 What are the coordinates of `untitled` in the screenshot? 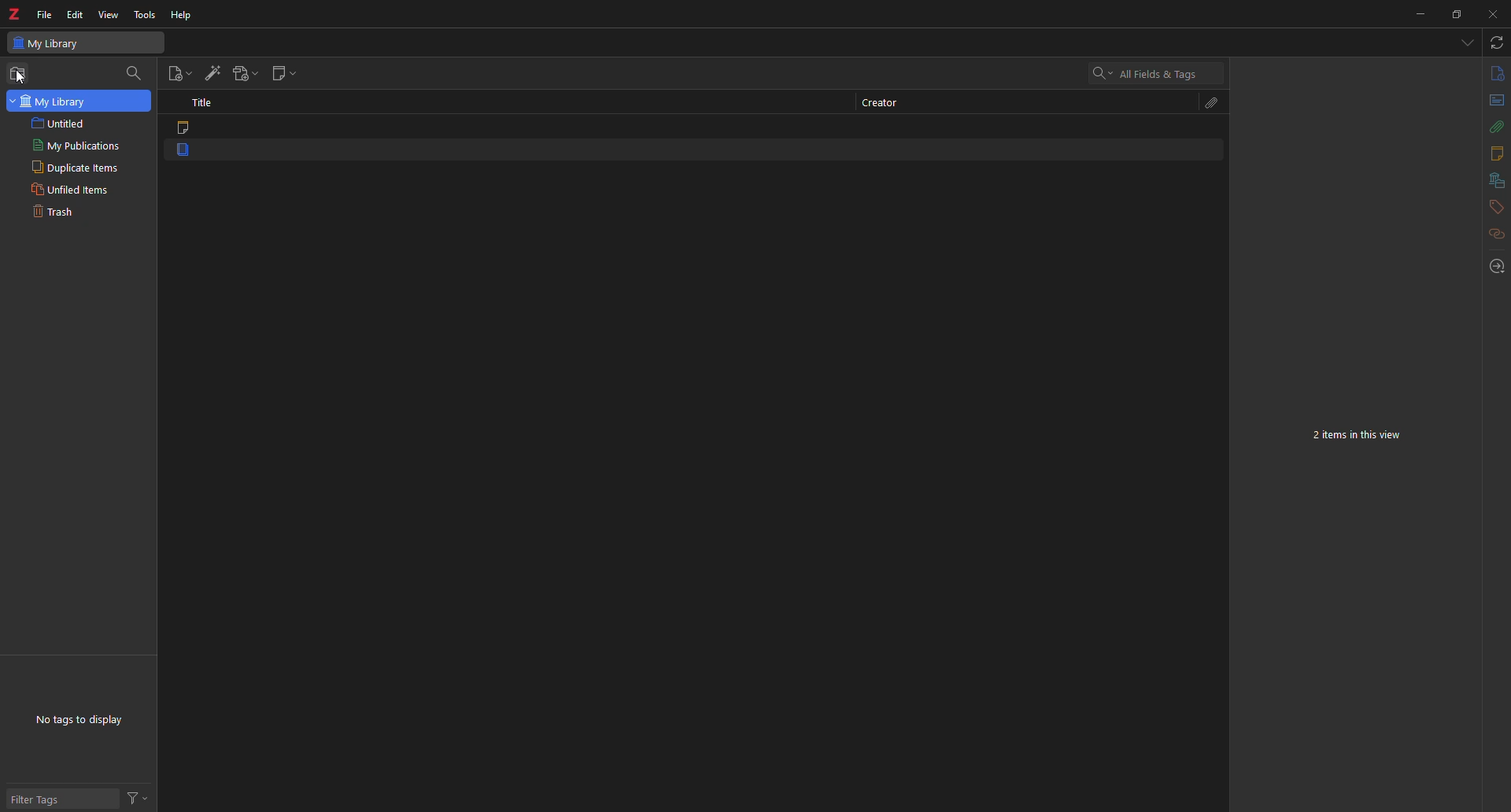 It's located at (61, 123).